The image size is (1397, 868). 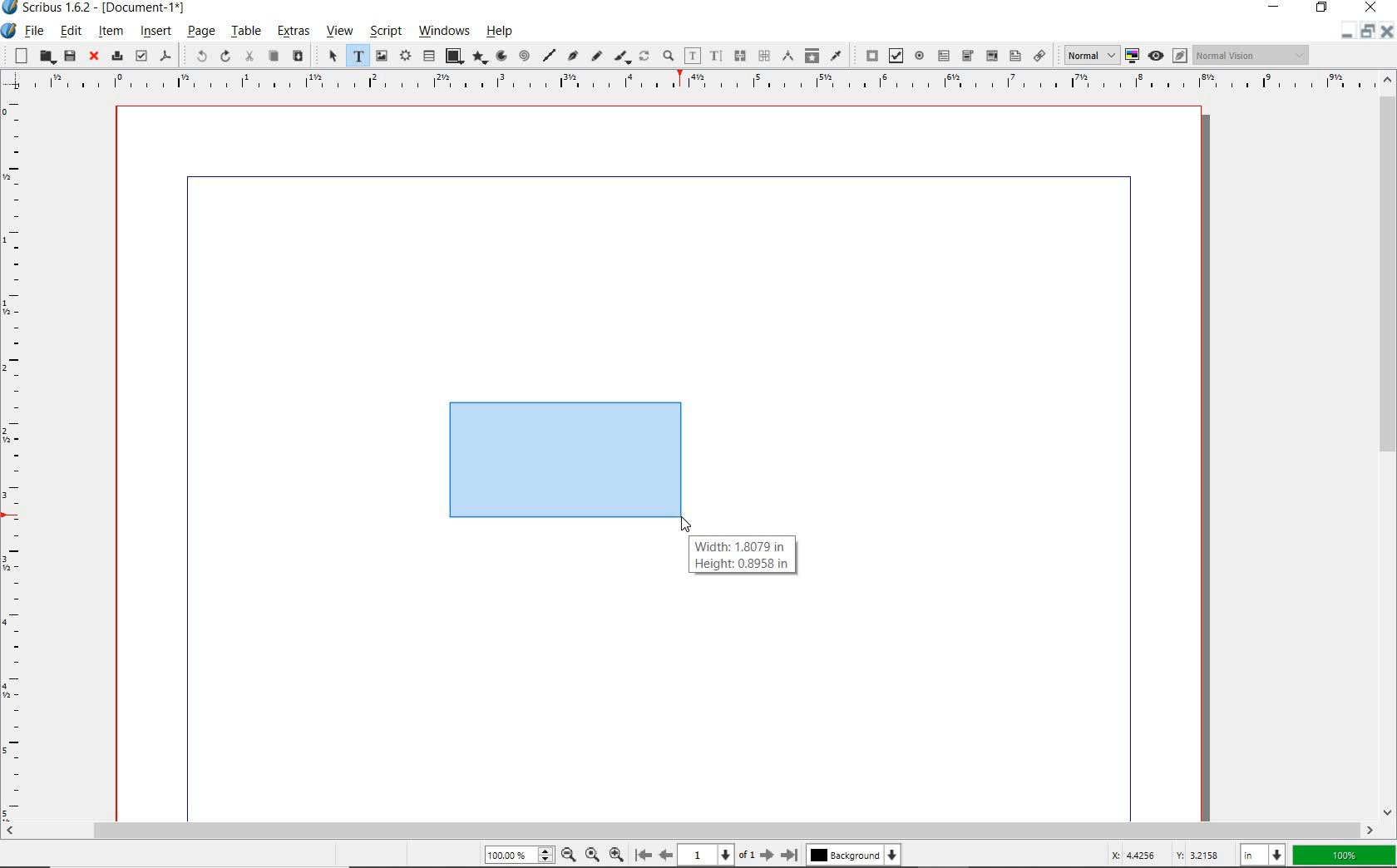 What do you see at coordinates (246, 32) in the screenshot?
I see `table` at bounding box center [246, 32].